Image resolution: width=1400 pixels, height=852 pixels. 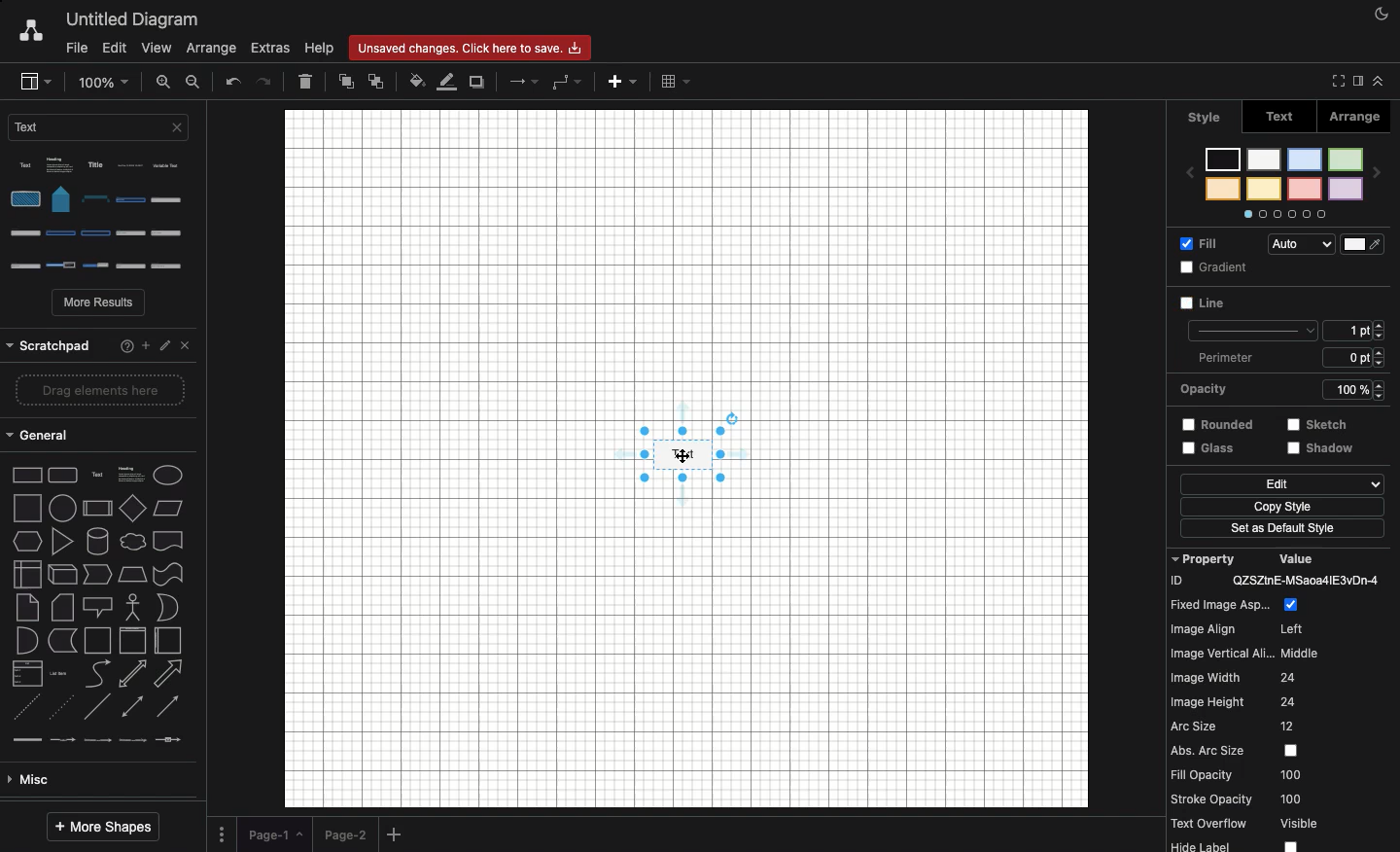 I want to click on Arrow, so click(x=525, y=81).